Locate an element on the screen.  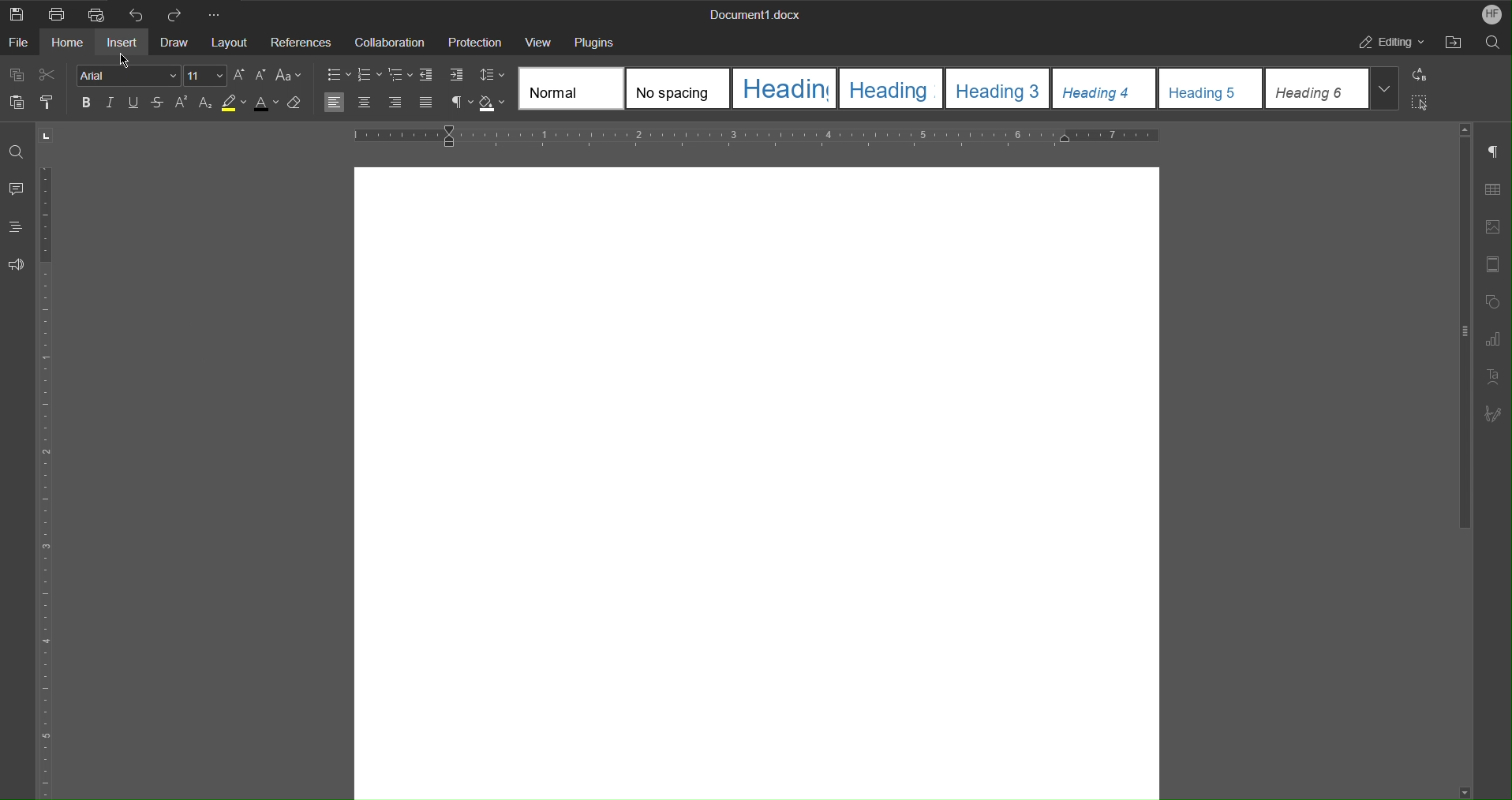
Vertical Ruler is located at coordinates (42, 480).